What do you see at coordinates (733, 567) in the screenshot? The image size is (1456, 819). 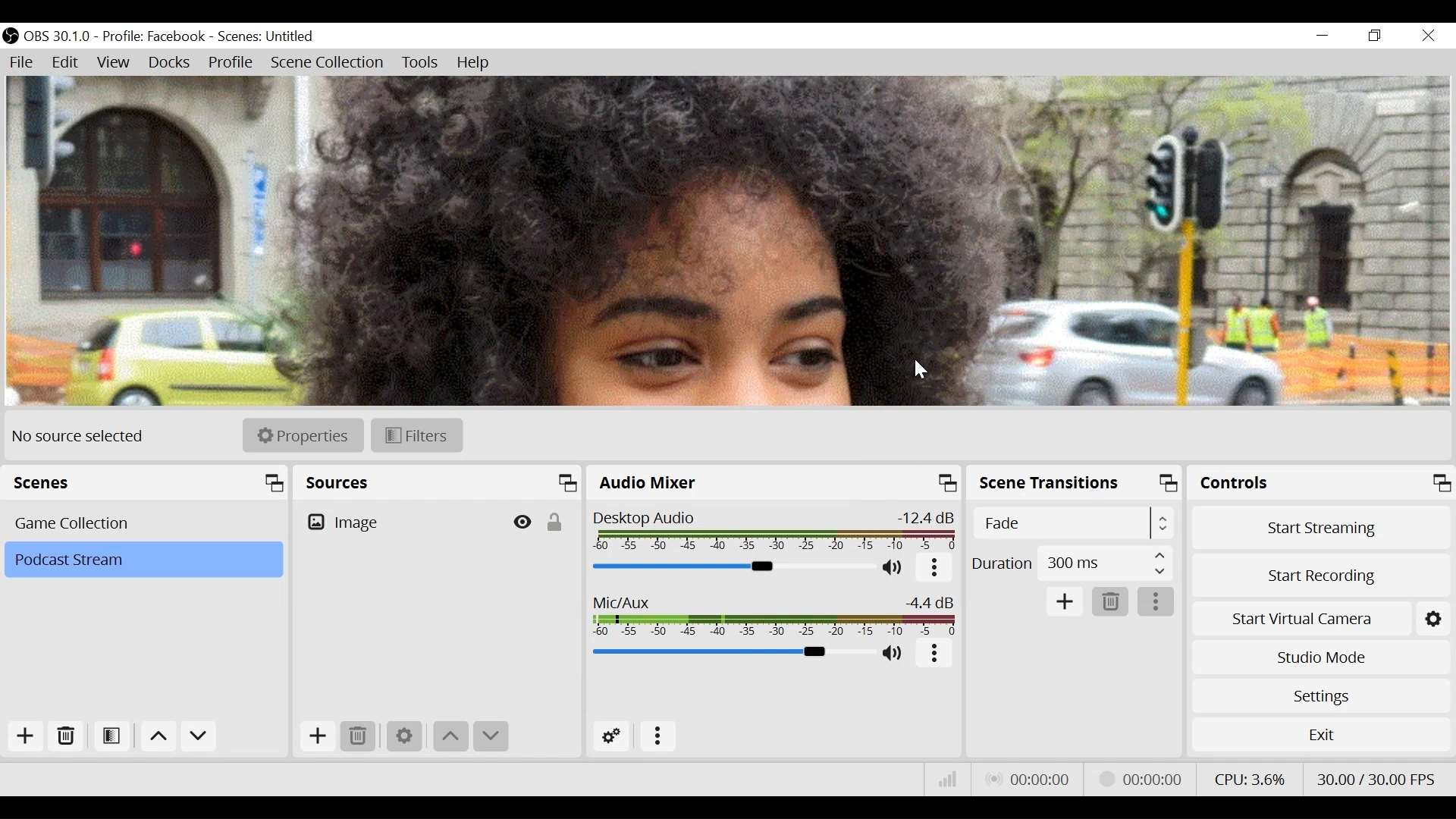 I see `Audio Mixer Slider` at bounding box center [733, 567].